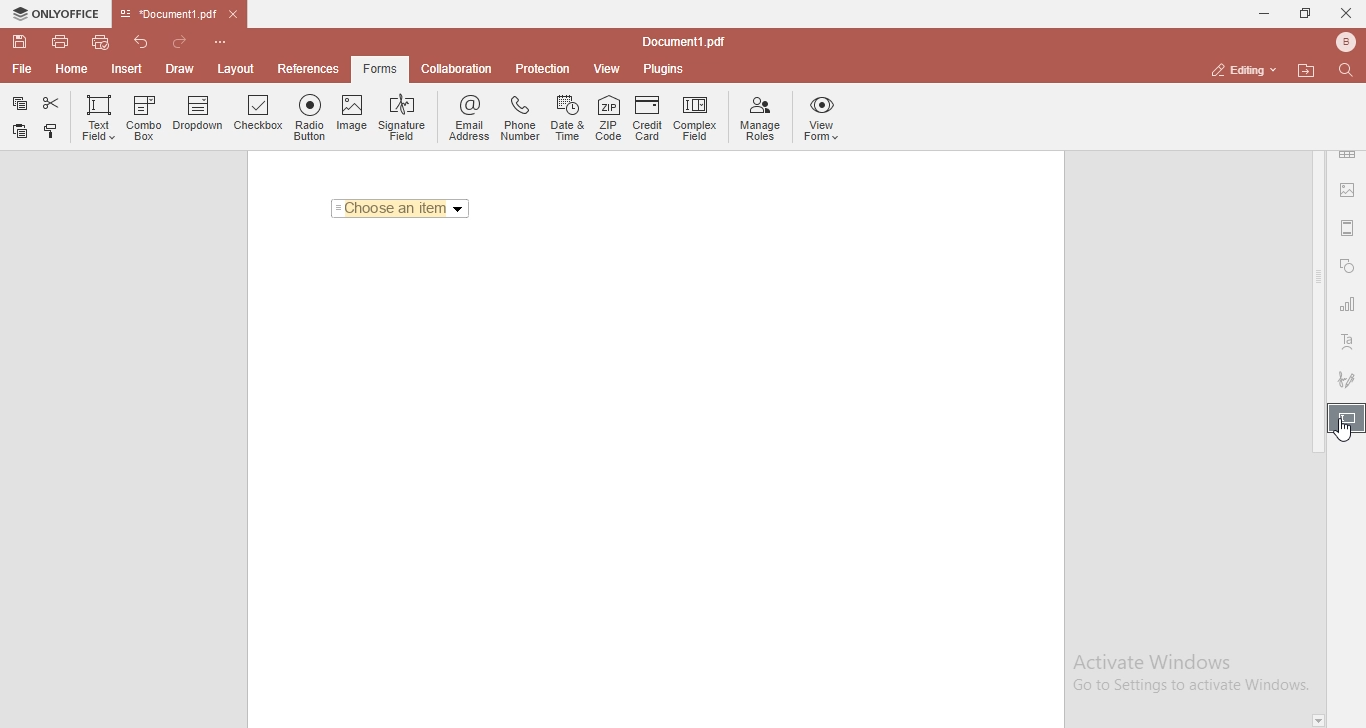 The height and width of the screenshot is (728, 1366). I want to click on signature field, so click(404, 117).